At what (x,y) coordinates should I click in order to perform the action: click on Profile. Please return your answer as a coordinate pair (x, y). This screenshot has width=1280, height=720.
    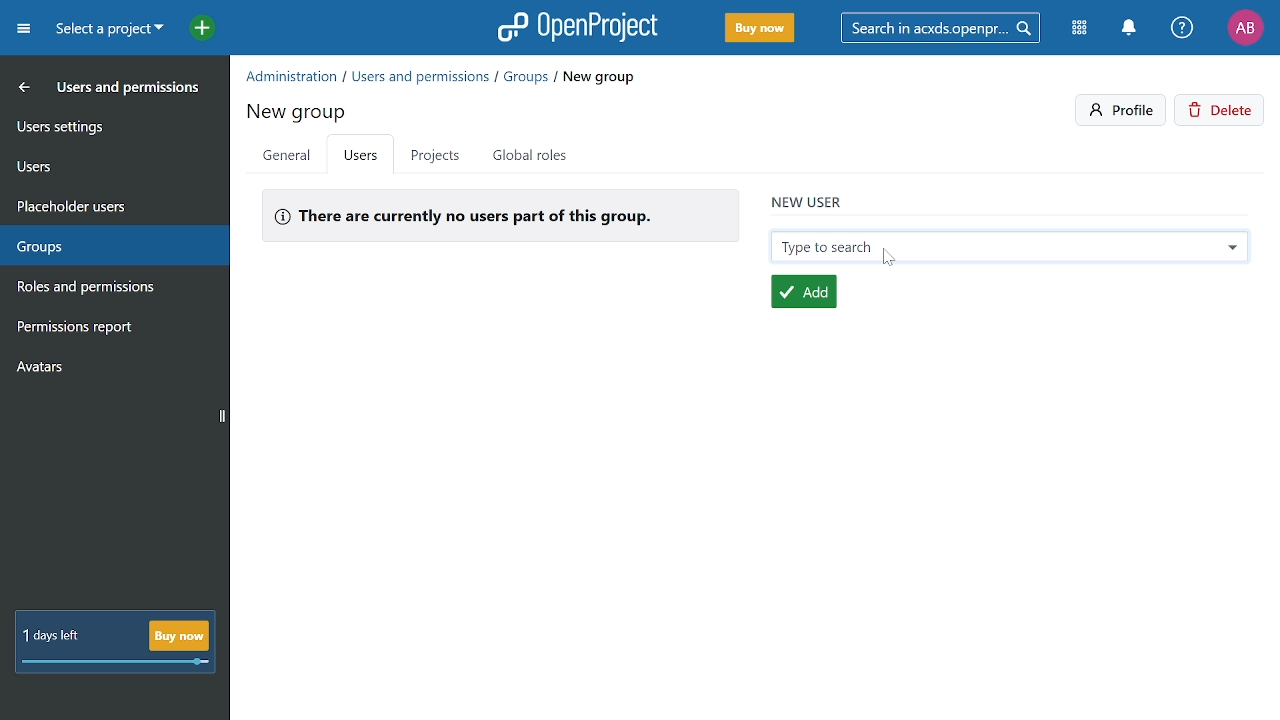
    Looking at the image, I should click on (1122, 110).